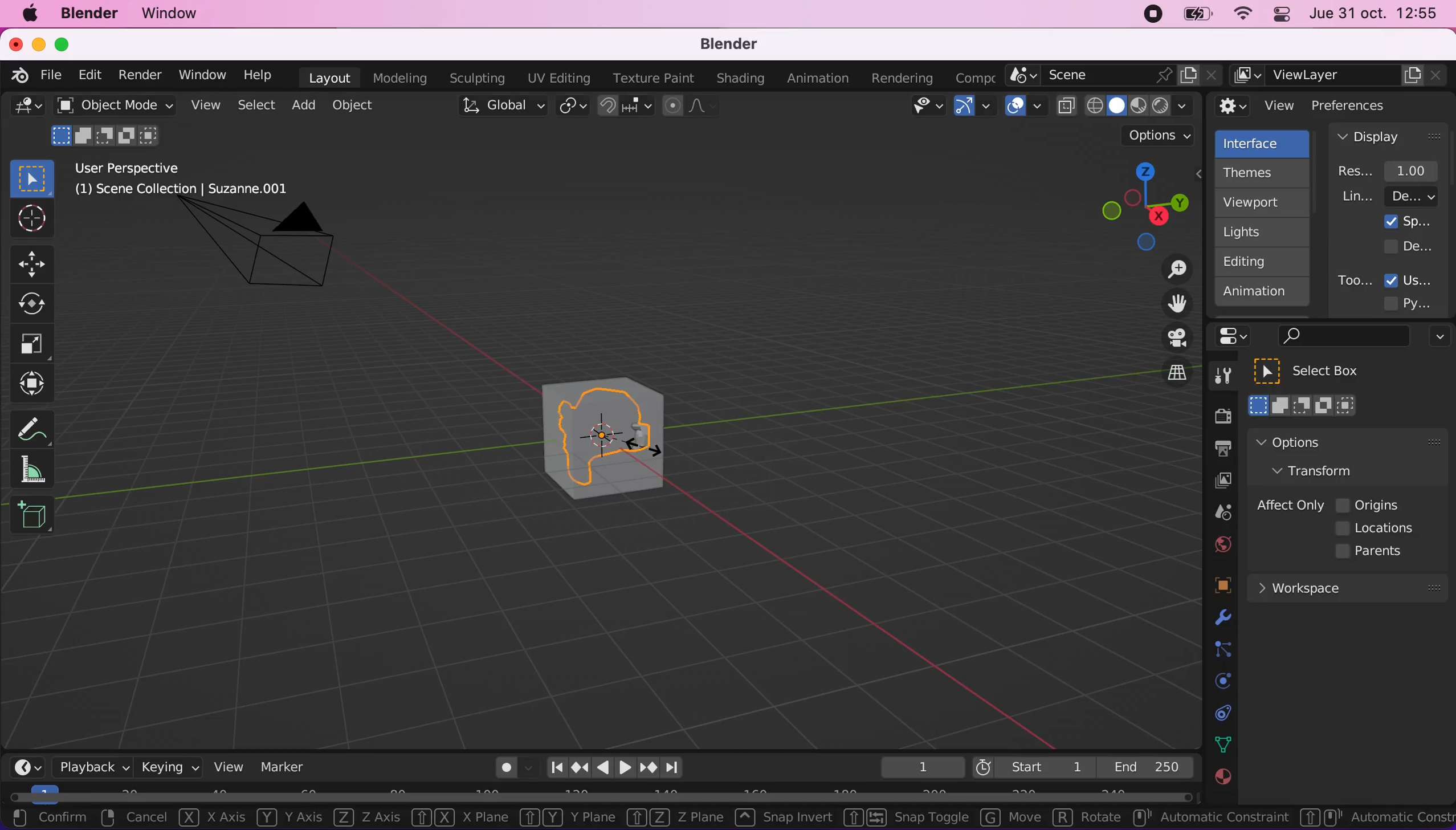 The height and width of the screenshot is (830, 1456). Describe the element at coordinates (139, 76) in the screenshot. I see `render` at that location.